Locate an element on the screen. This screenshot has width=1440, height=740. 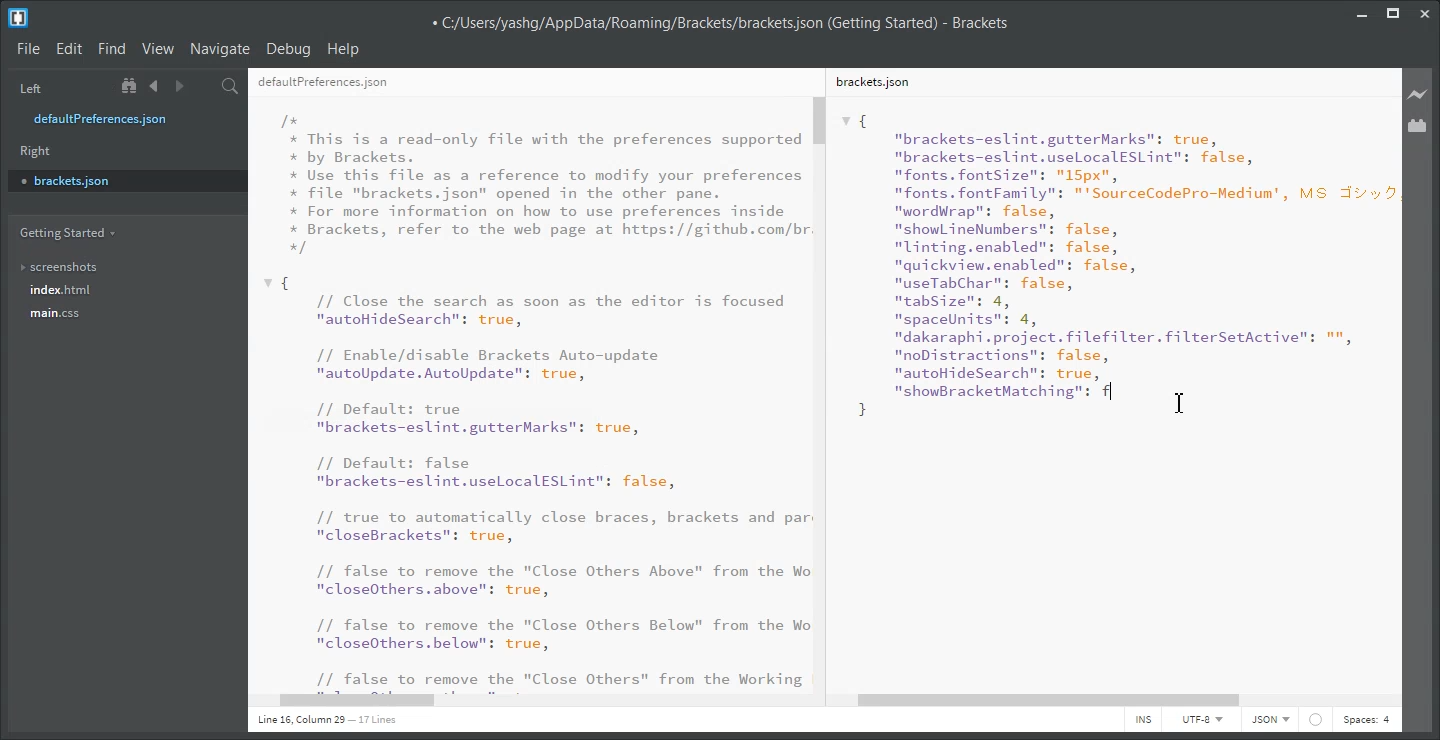
Split the editor vertically or Horizontally is located at coordinates (204, 86).